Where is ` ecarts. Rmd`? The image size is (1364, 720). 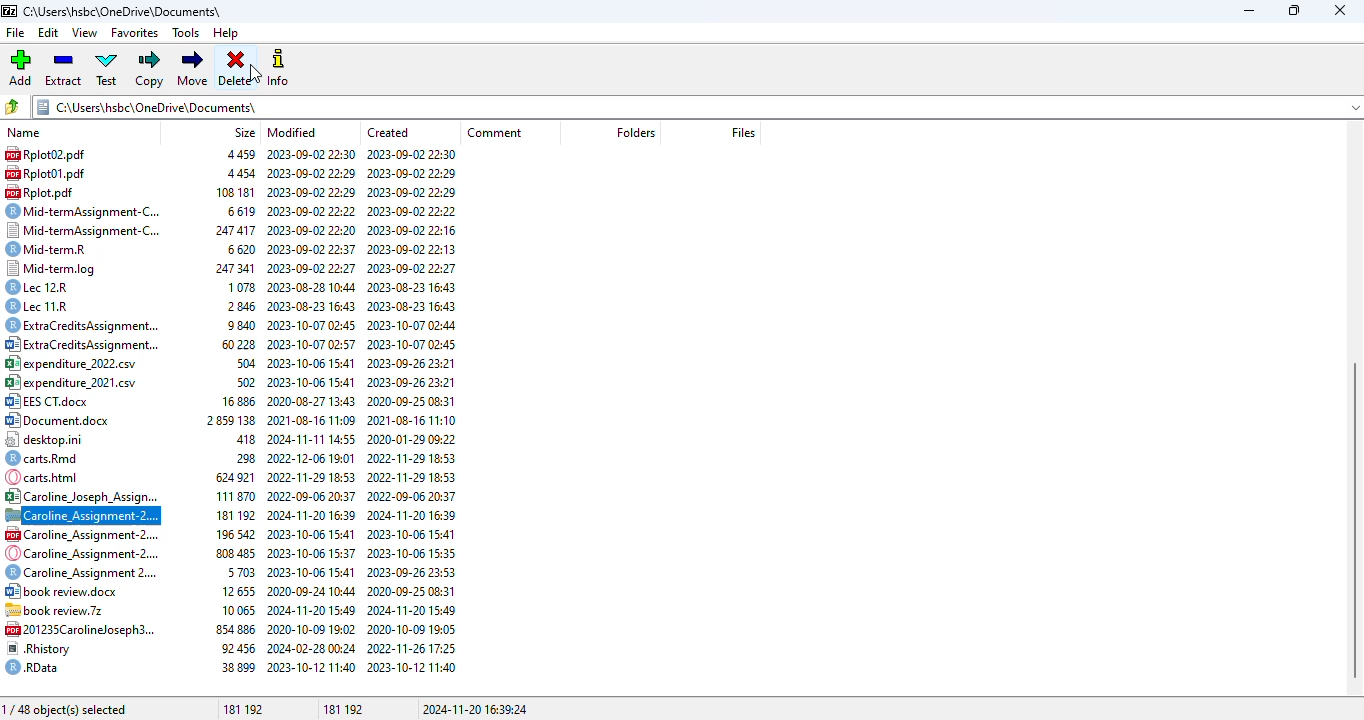
 ecarts. Rmd is located at coordinates (45, 458).